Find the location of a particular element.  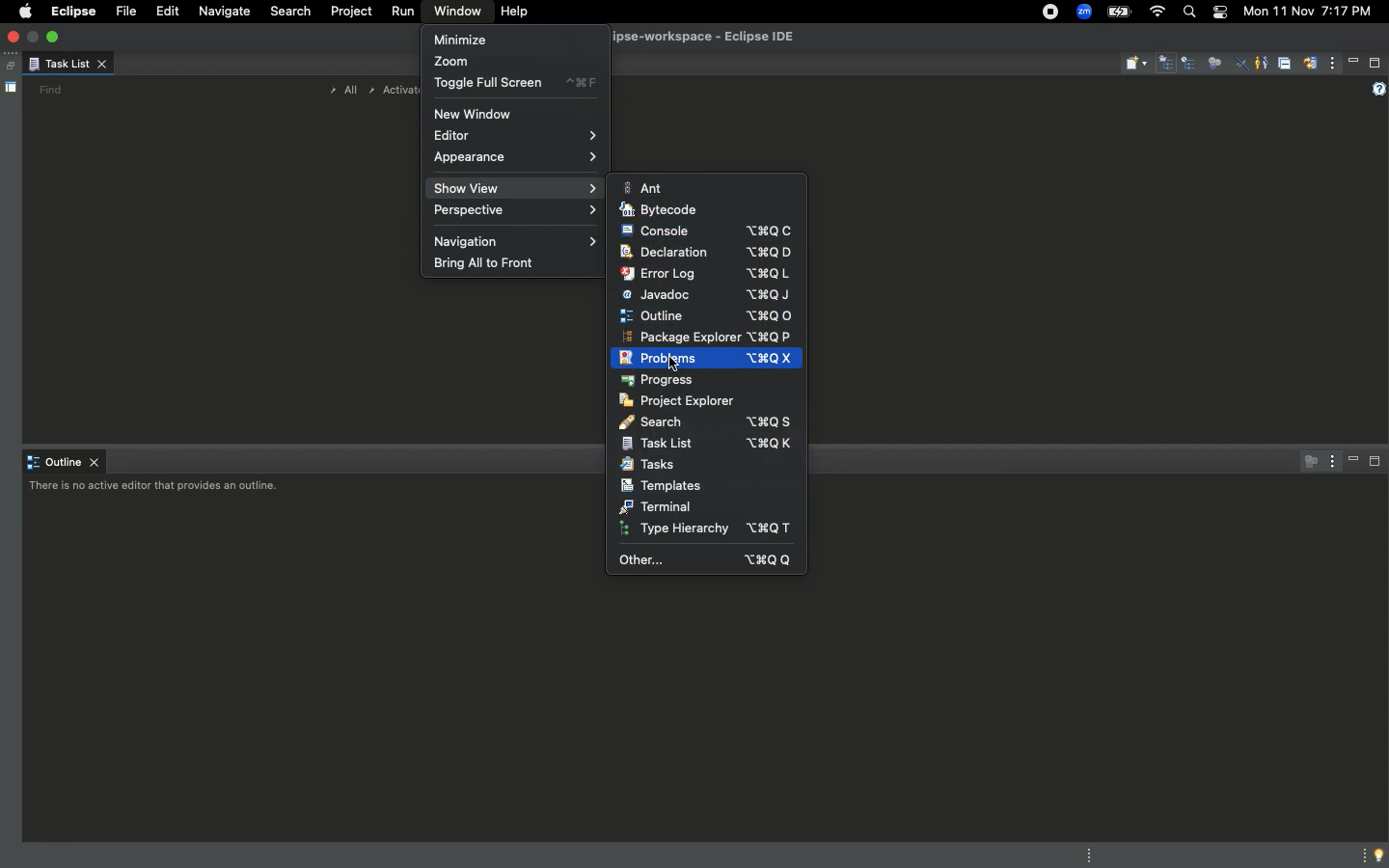

Internet is located at coordinates (1156, 12).